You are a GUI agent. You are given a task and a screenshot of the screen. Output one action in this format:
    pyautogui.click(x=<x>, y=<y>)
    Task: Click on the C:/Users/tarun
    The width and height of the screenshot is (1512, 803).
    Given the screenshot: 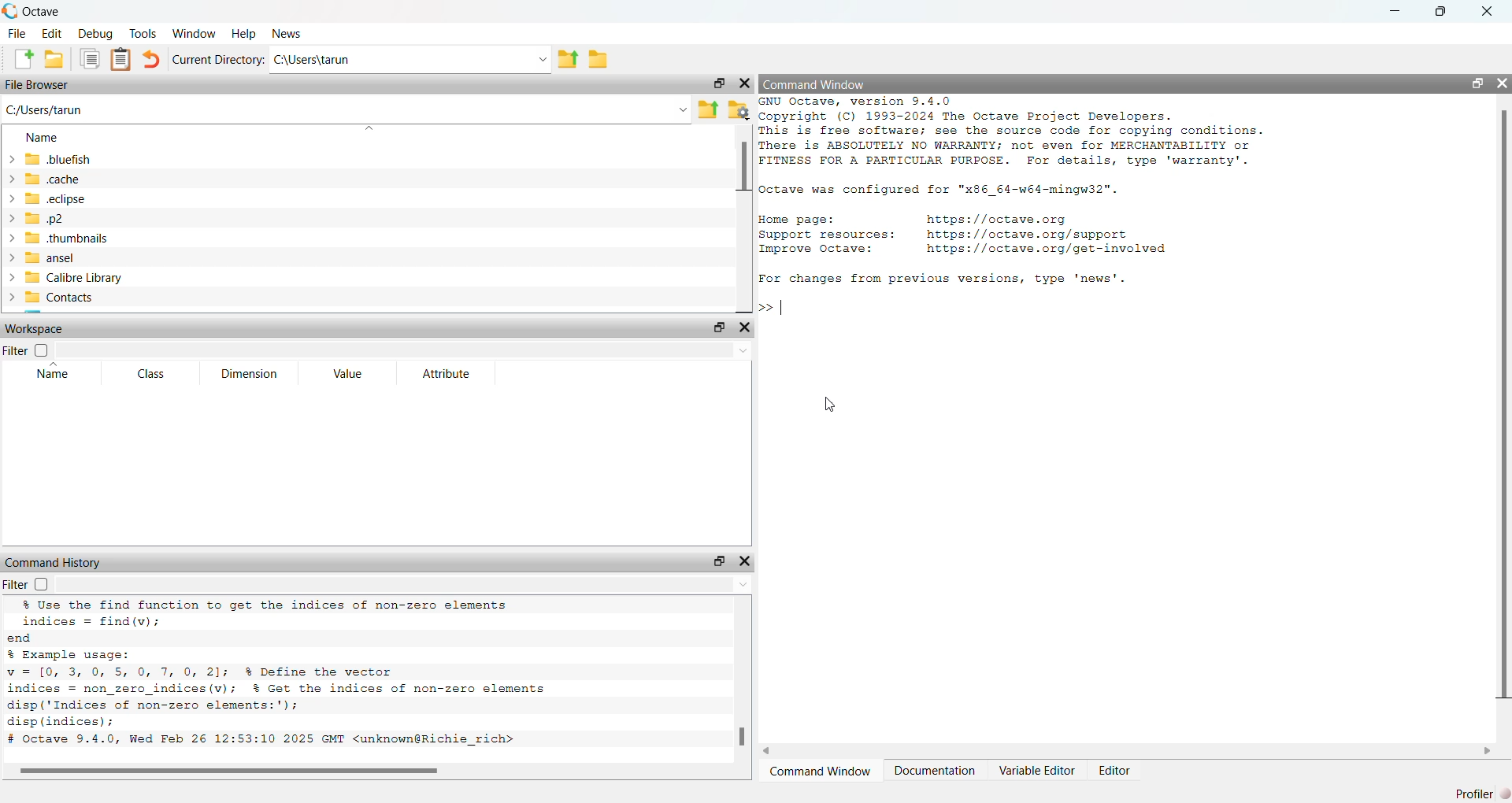 What is the action you would take?
    pyautogui.click(x=346, y=111)
    